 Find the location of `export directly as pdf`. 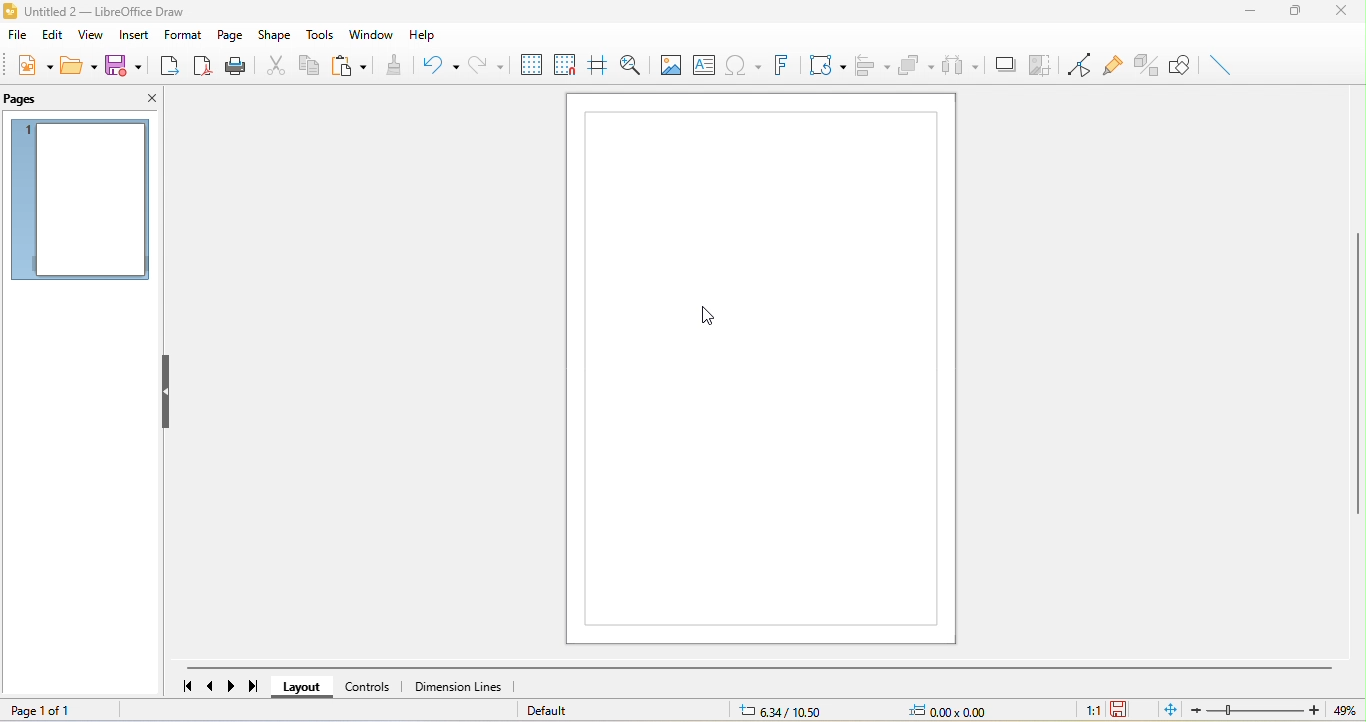

export directly as pdf is located at coordinates (205, 65).